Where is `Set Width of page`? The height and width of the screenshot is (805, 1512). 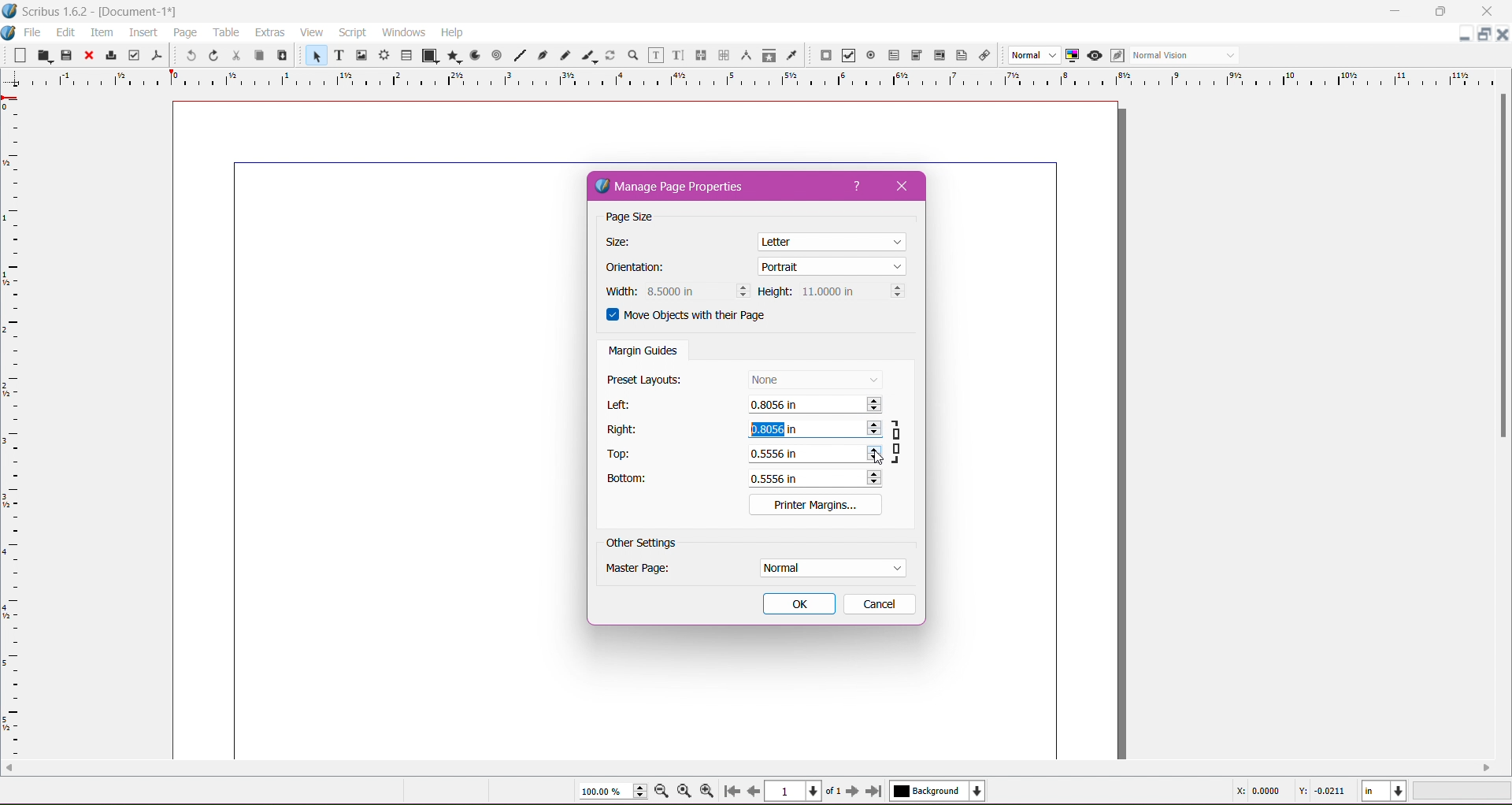 Set Width of page is located at coordinates (697, 291).